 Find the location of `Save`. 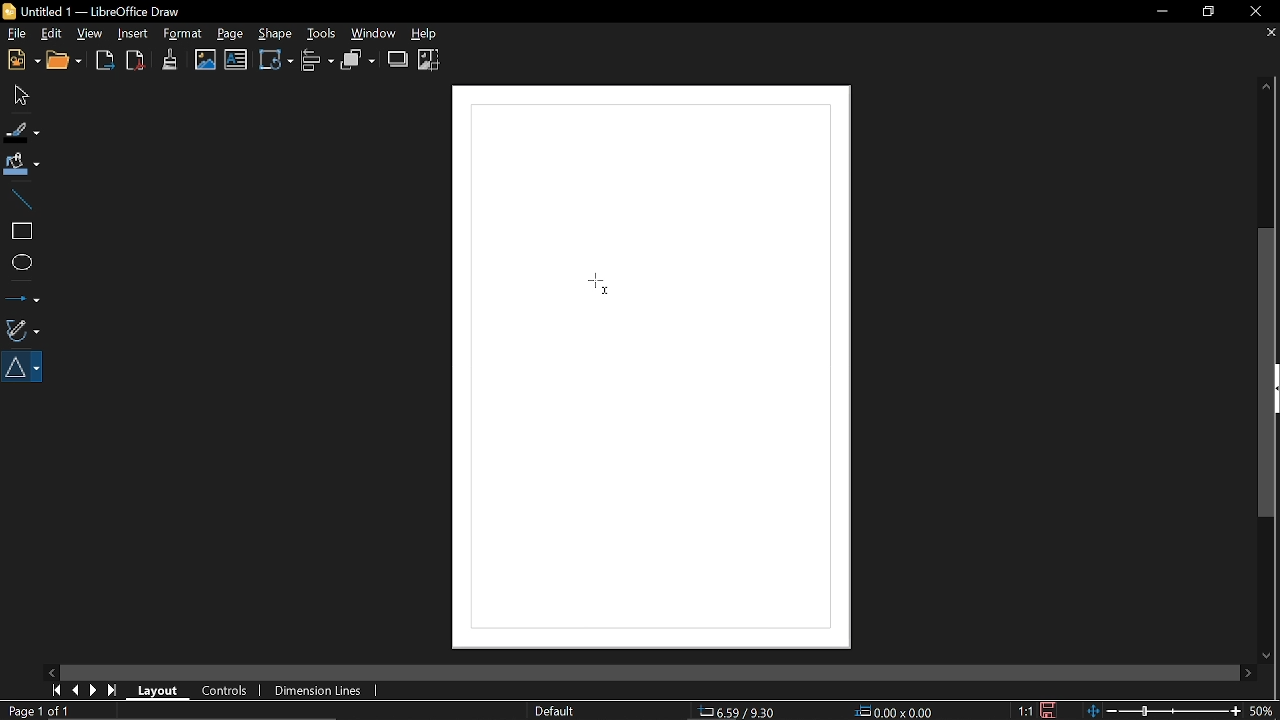

Save is located at coordinates (1048, 710).